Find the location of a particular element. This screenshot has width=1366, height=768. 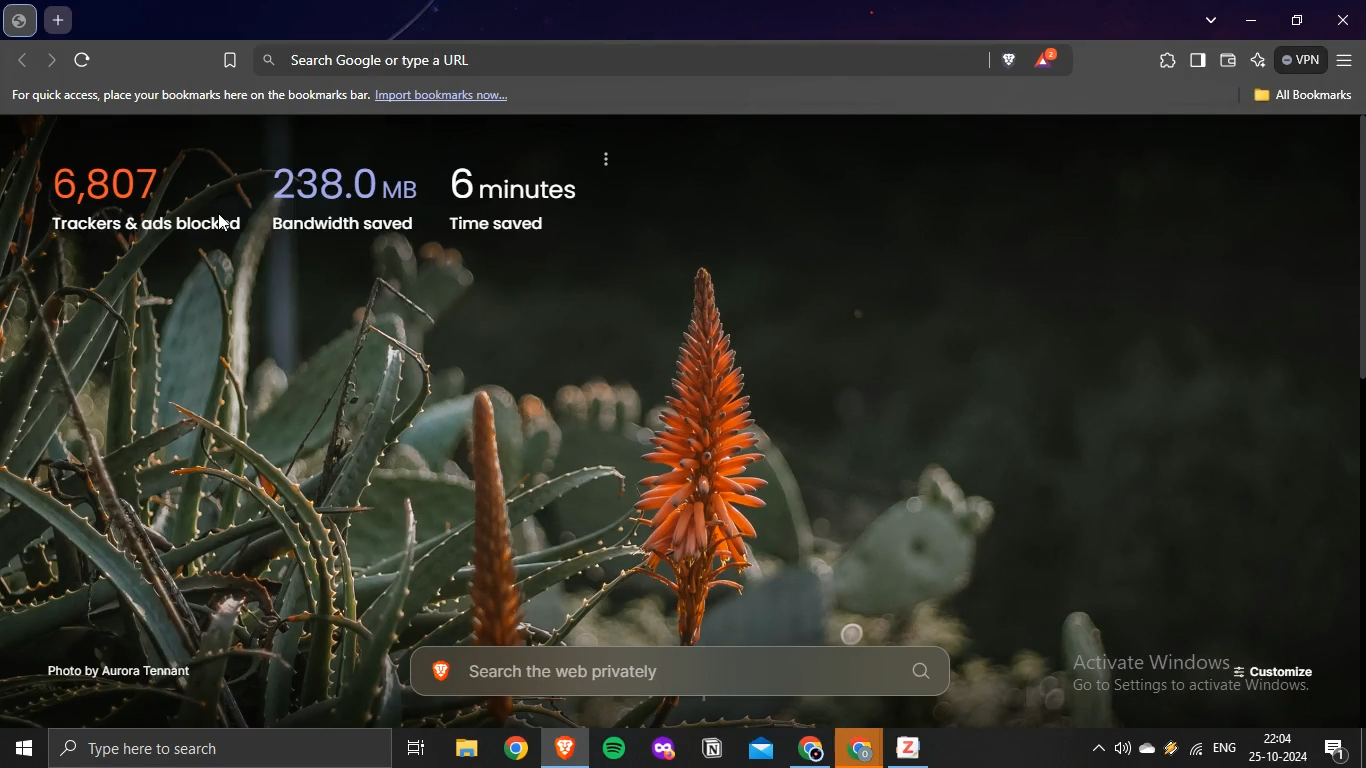

brave shield is located at coordinates (1006, 60).